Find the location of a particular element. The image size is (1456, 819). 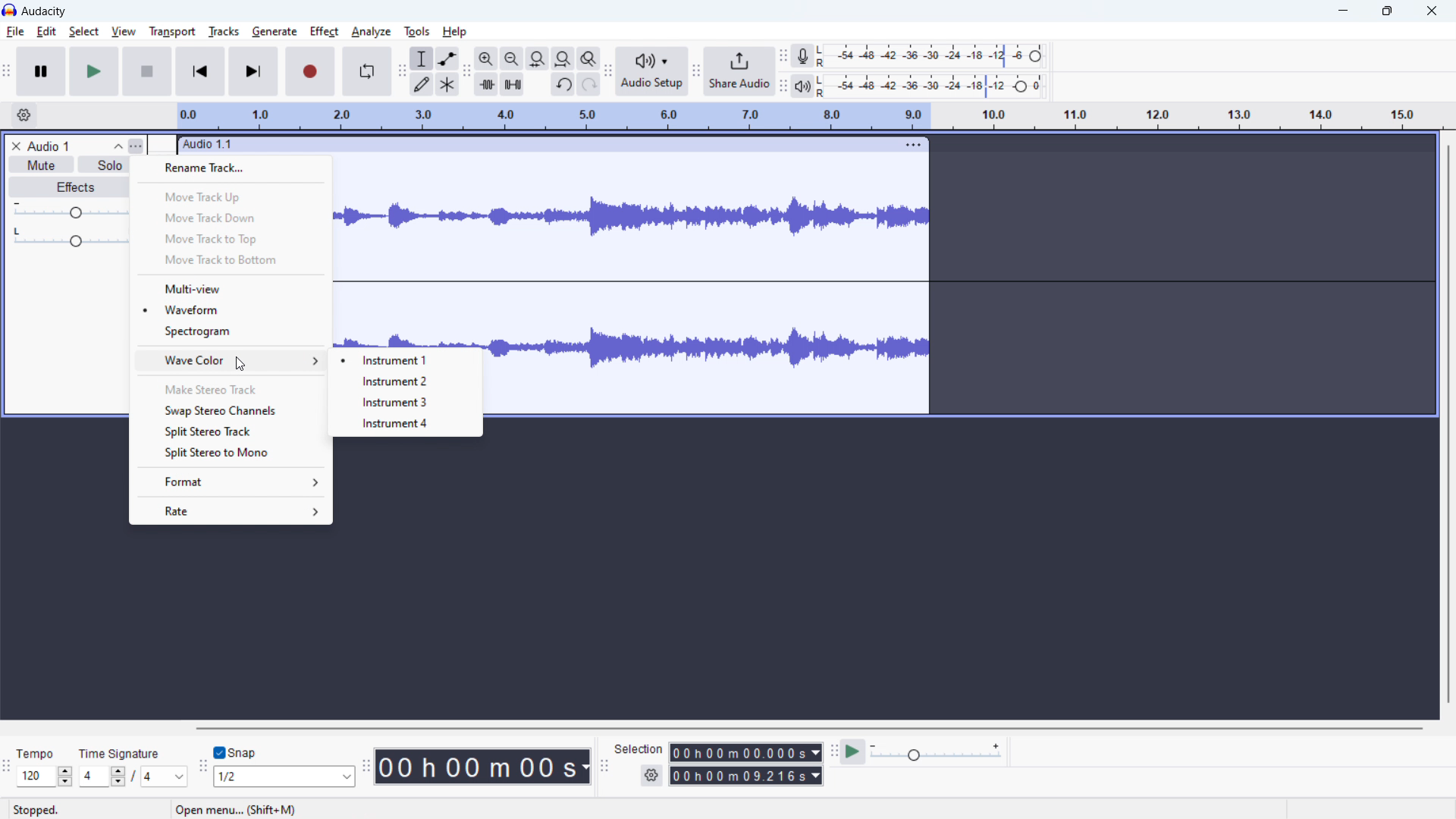

tools is located at coordinates (417, 32).